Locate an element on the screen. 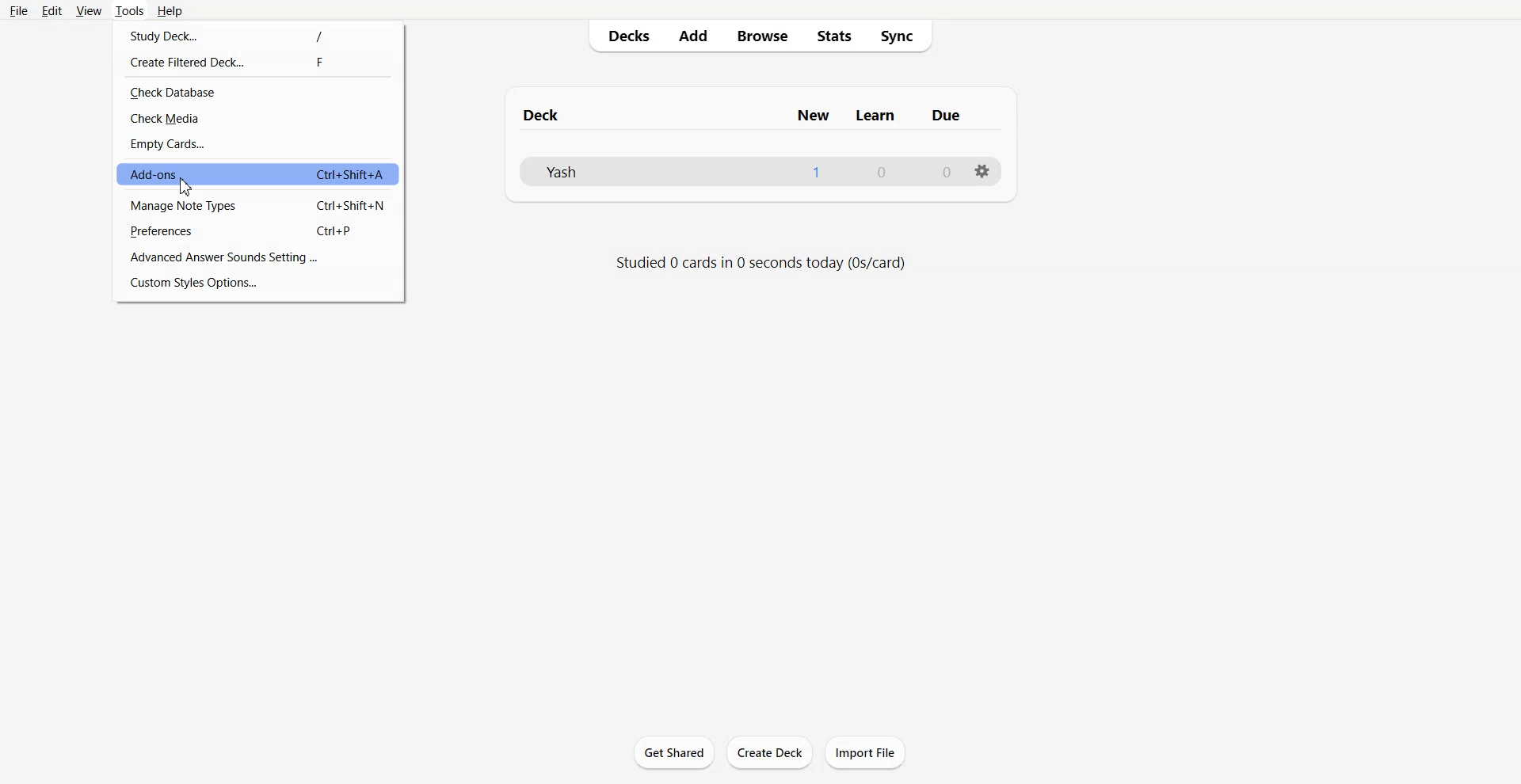 The image size is (1521, 784). Create Filtered Deck is located at coordinates (261, 63).